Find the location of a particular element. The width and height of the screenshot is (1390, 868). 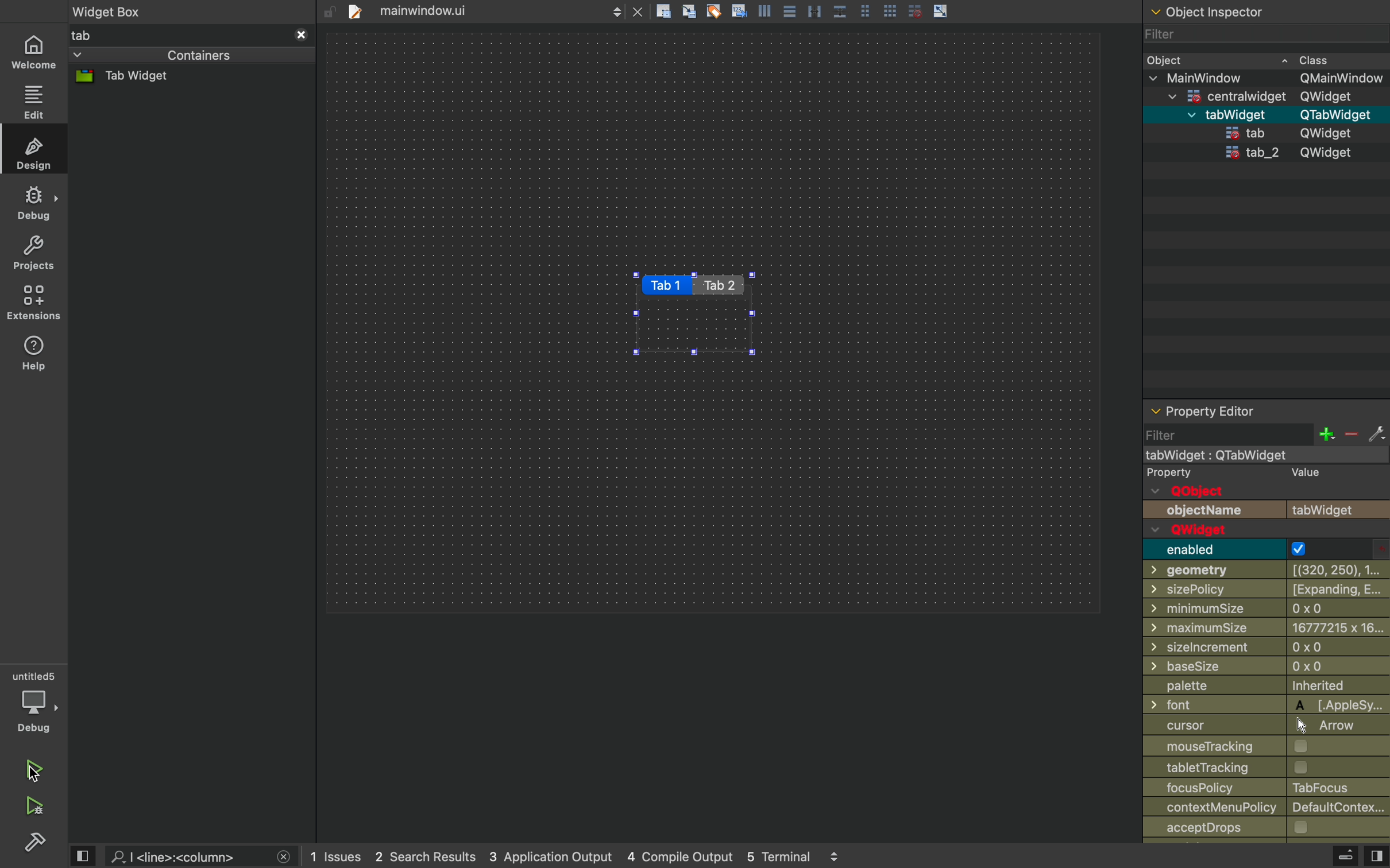

help is located at coordinates (33, 354).